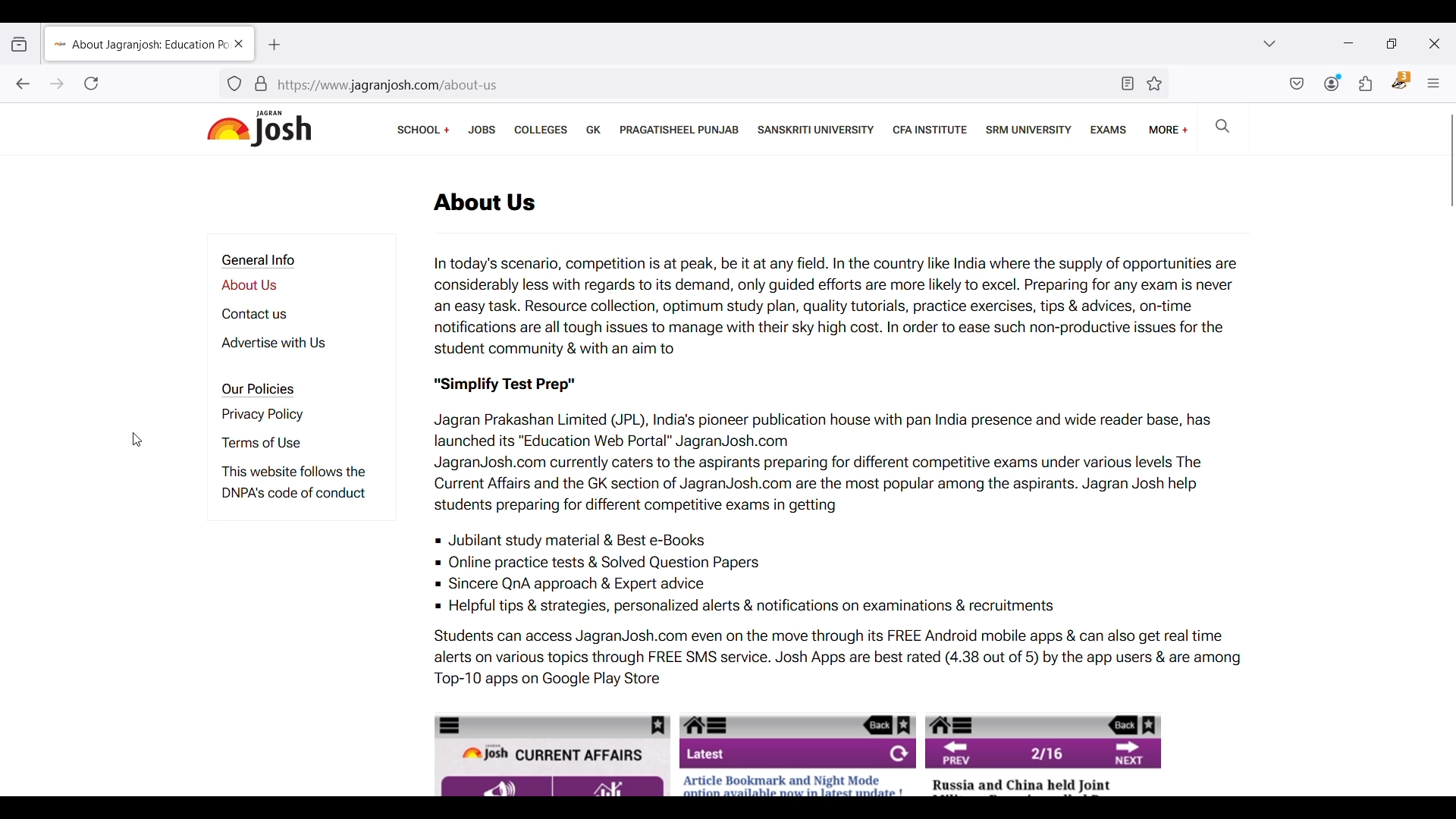  I want to click on Exams page, so click(1109, 127).